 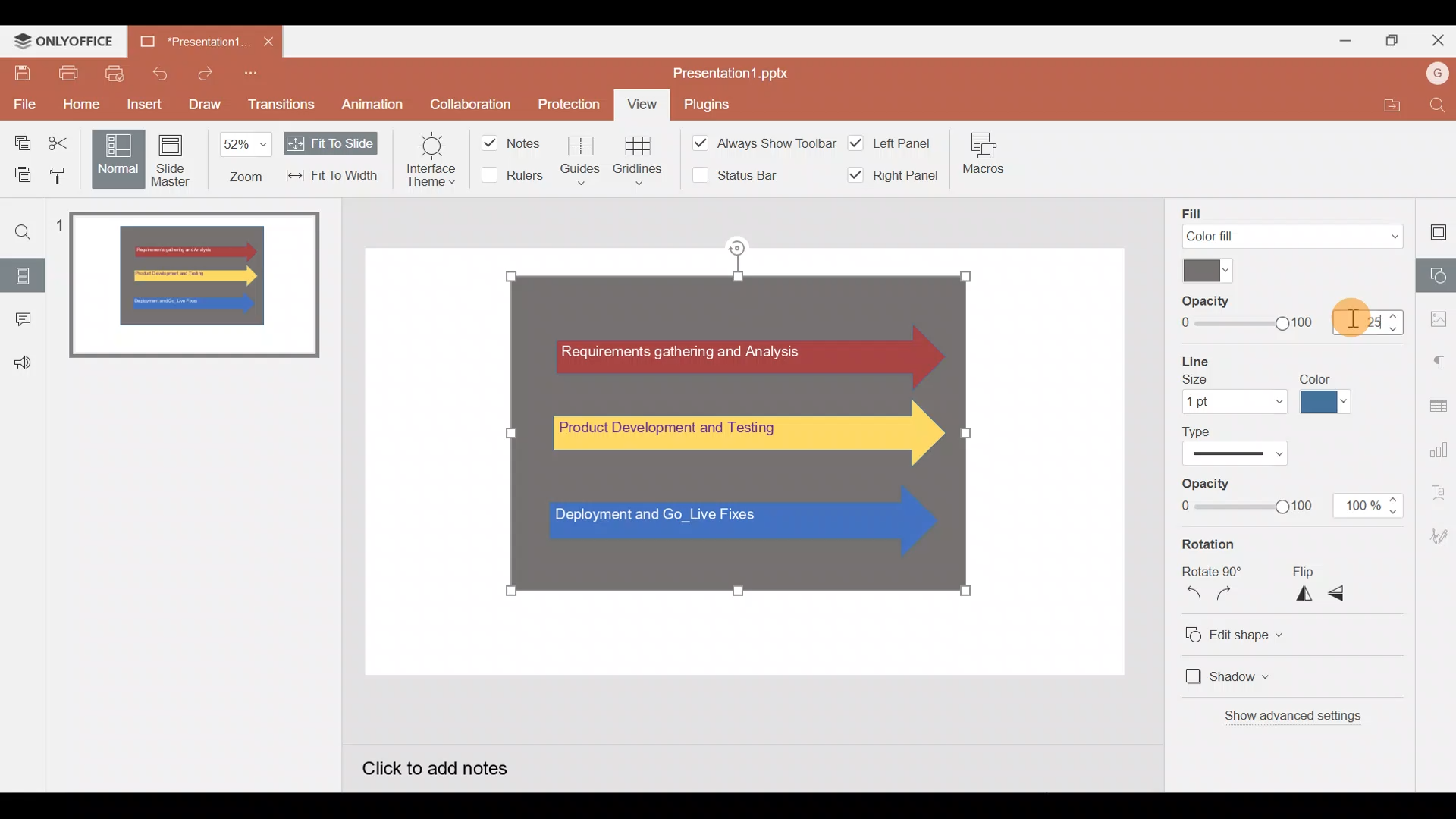 What do you see at coordinates (425, 162) in the screenshot?
I see `Interface theme` at bounding box center [425, 162].